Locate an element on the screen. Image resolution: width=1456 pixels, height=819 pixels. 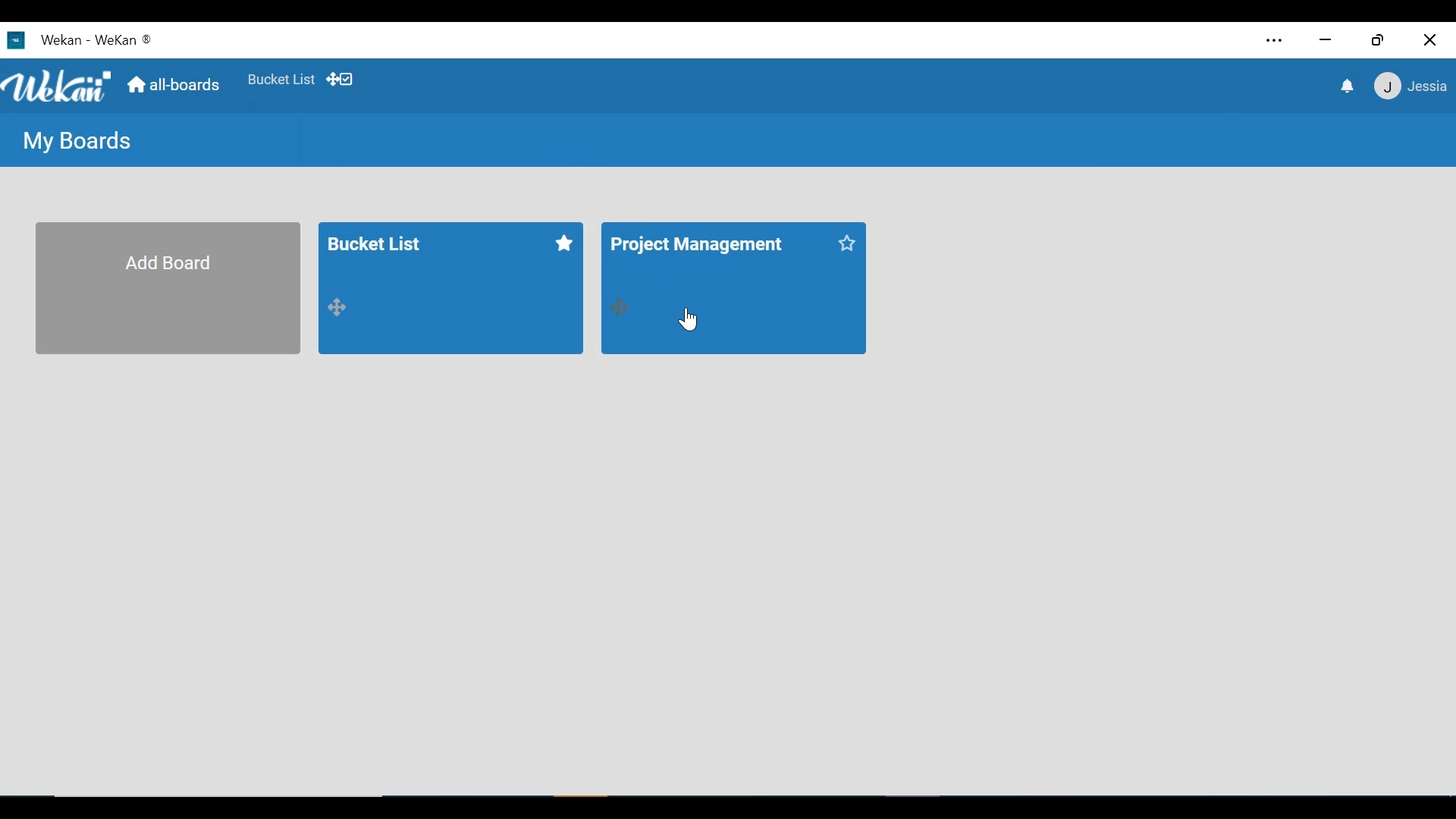
project management is located at coordinates (699, 248).